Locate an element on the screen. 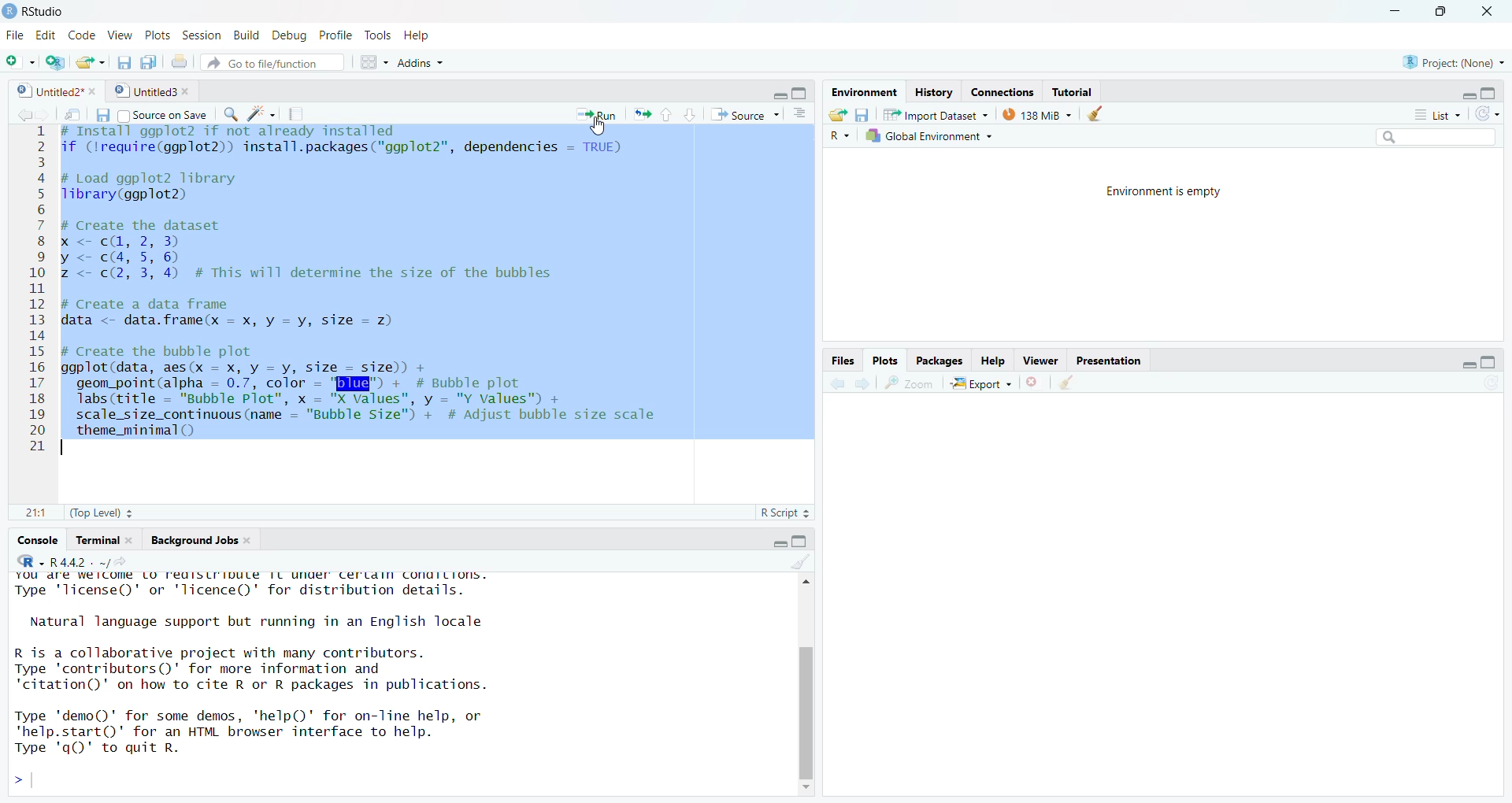 This screenshot has width=1512, height=803. Find/Replace is located at coordinates (230, 115).